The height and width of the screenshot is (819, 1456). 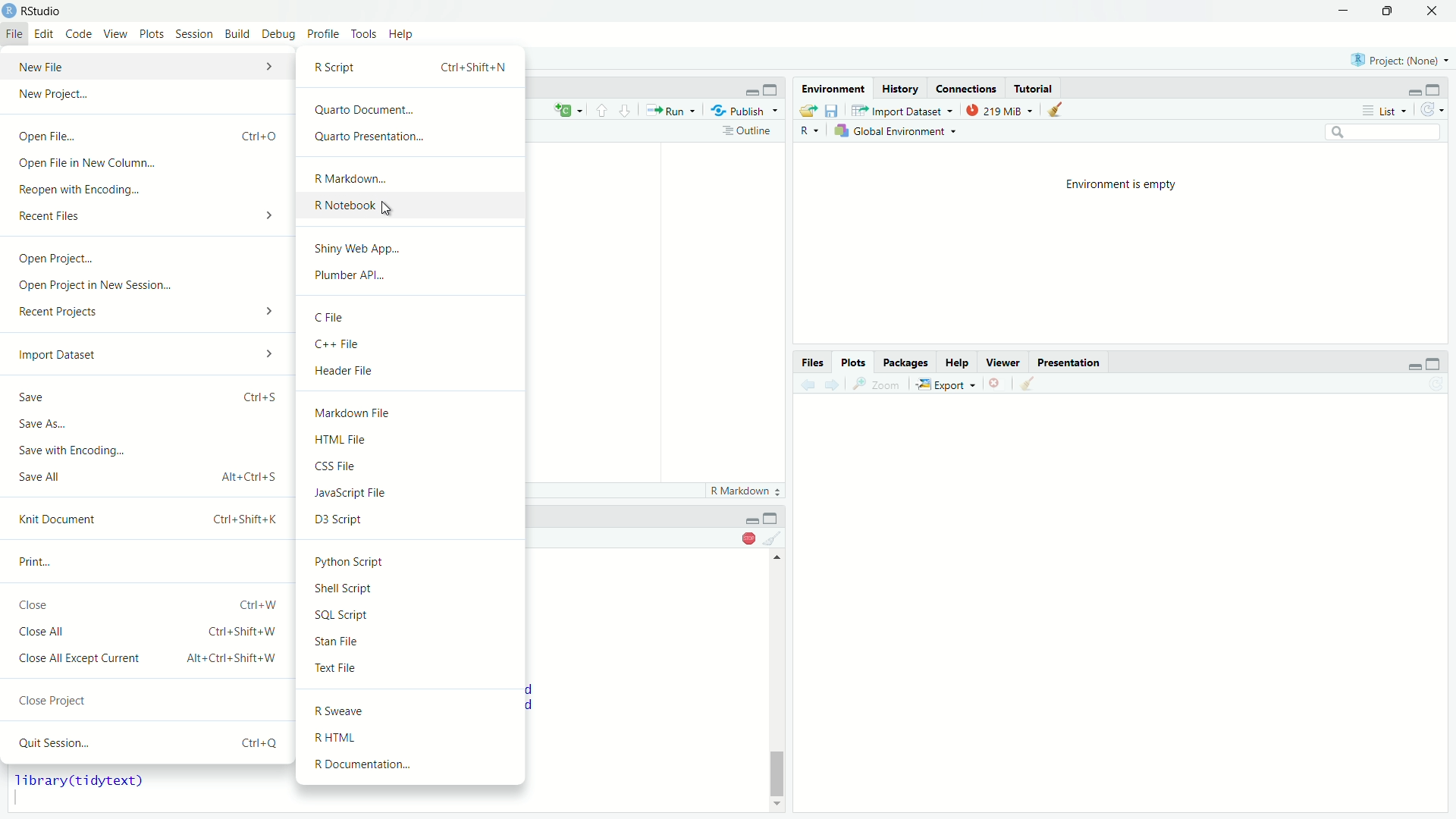 What do you see at coordinates (625, 111) in the screenshot?
I see `go to next section` at bounding box center [625, 111].